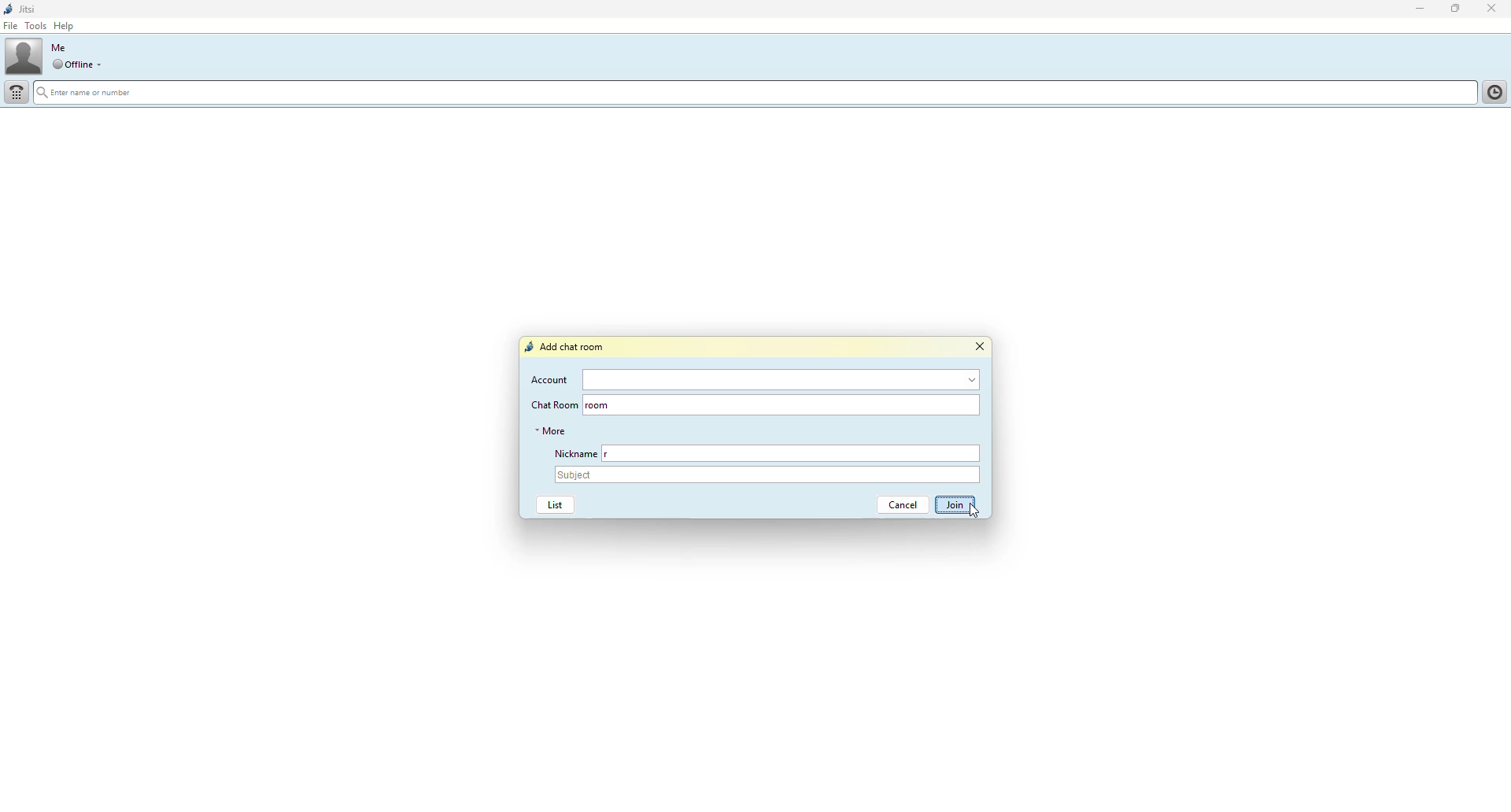 Image resolution: width=1511 pixels, height=812 pixels. What do you see at coordinates (614, 453) in the screenshot?
I see `r` at bounding box center [614, 453].